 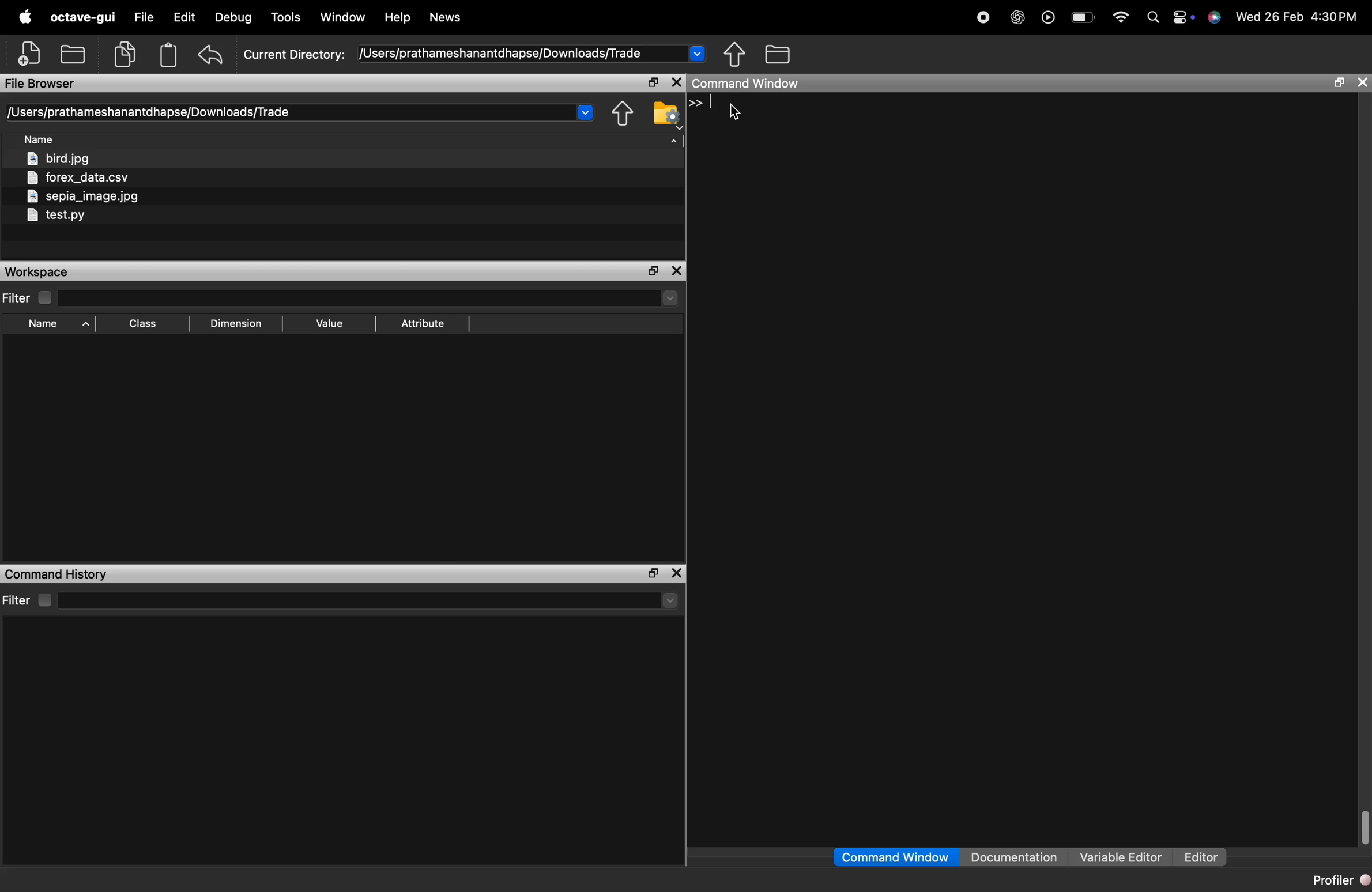 I want to click on copy, so click(x=126, y=54).